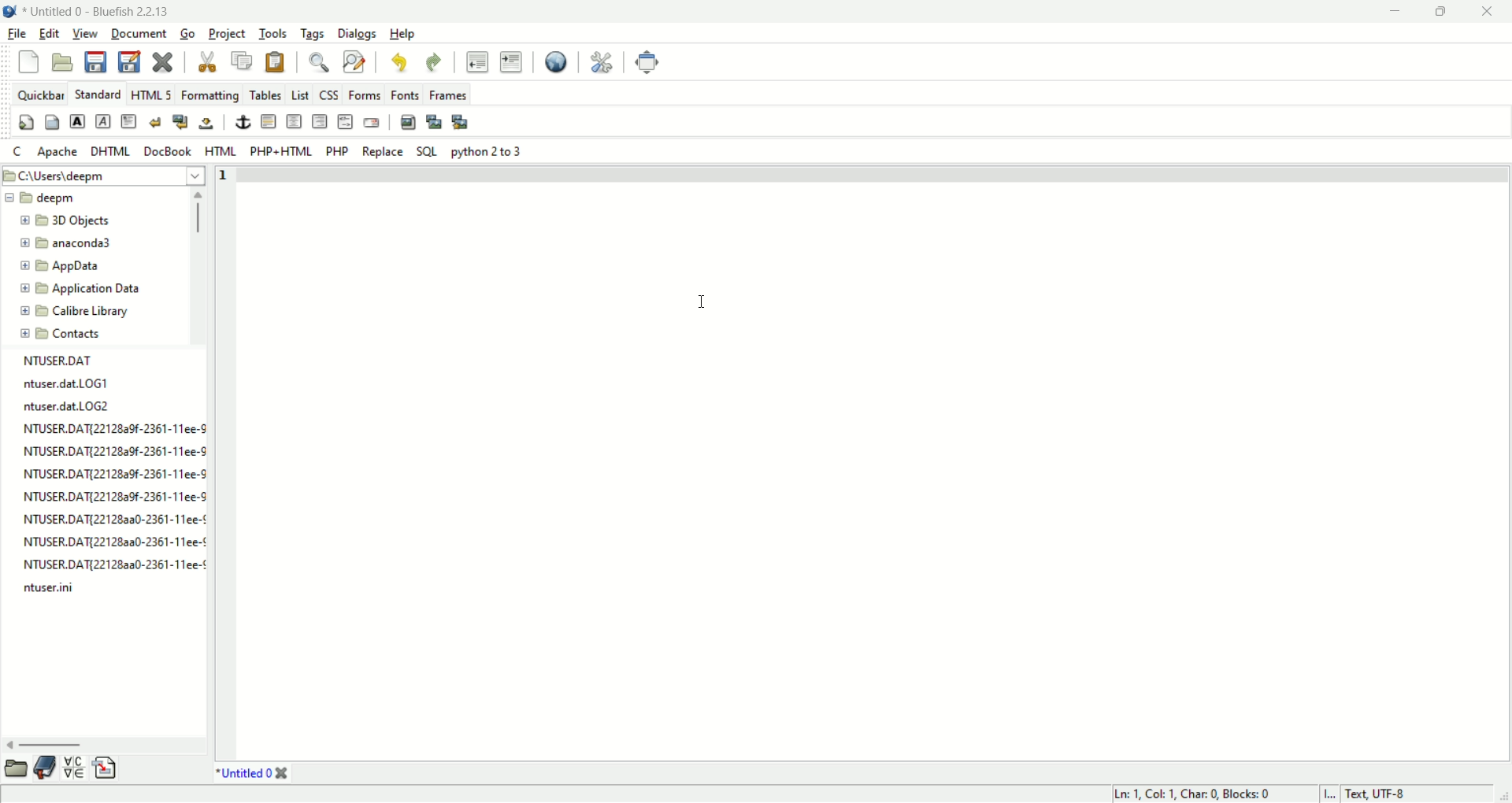 This screenshot has height=803, width=1512. Describe the element at coordinates (267, 123) in the screenshot. I see `horizontal rule` at that location.